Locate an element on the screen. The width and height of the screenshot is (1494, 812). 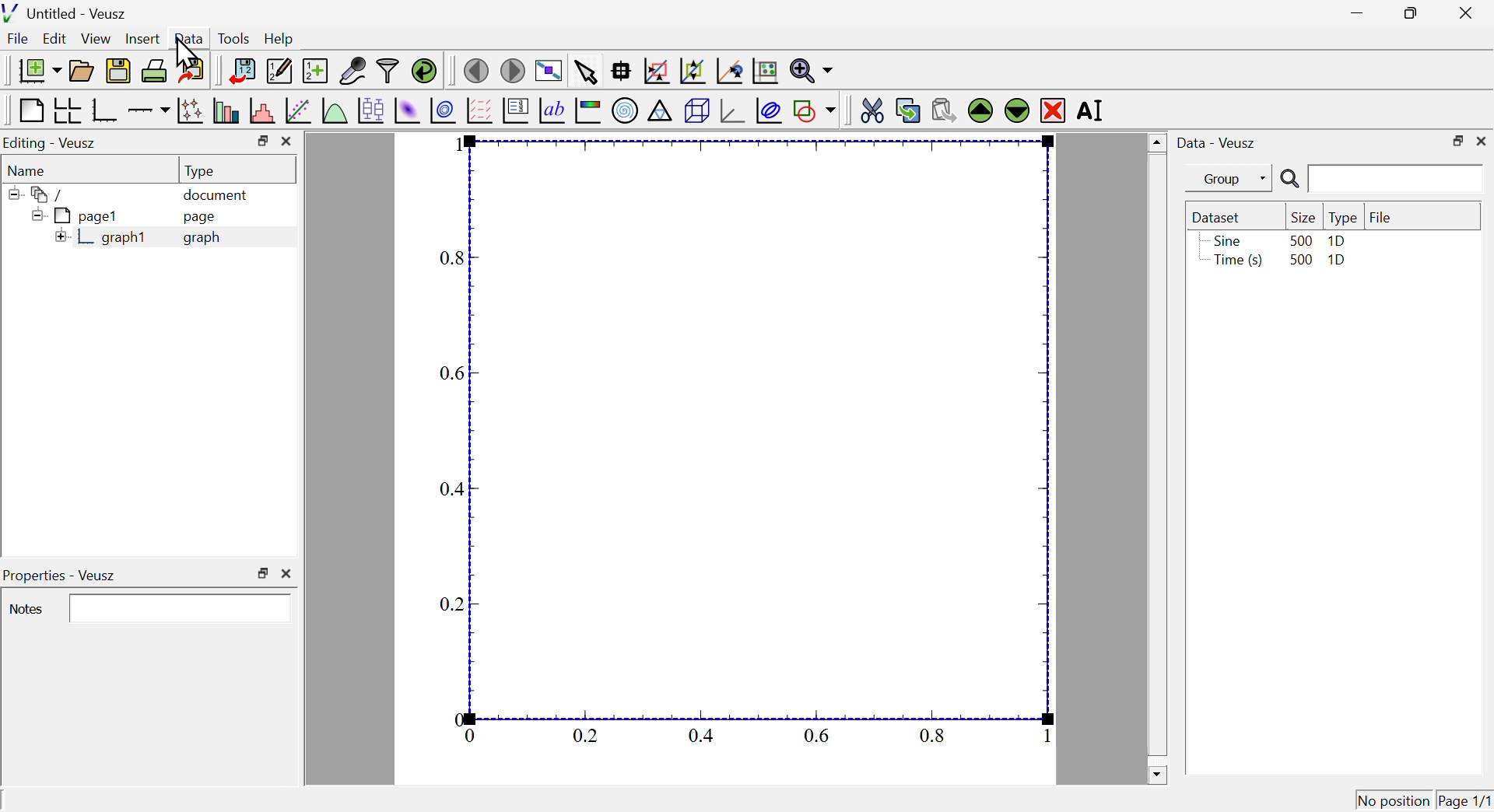
move to the previous page is located at coordinates (475, 69).